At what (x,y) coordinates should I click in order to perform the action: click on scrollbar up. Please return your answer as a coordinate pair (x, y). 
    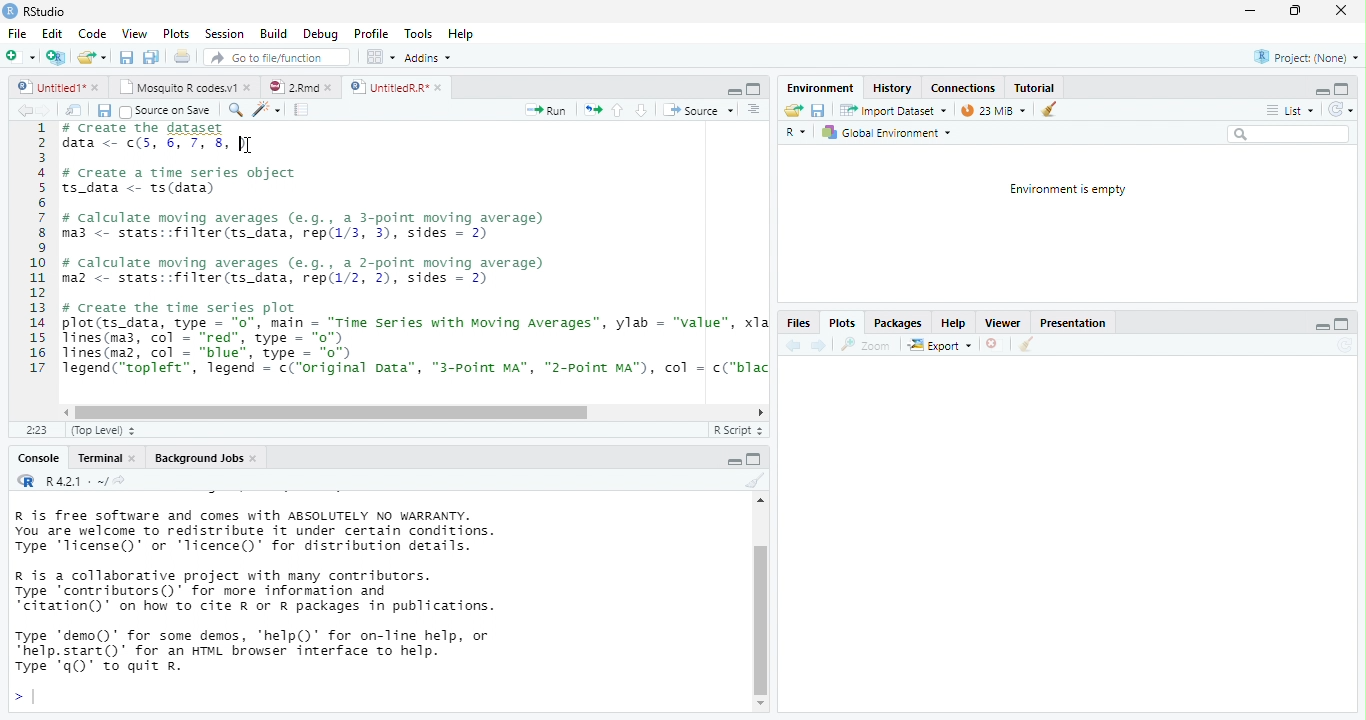
    Looking at the image, I should click on (758, 503).